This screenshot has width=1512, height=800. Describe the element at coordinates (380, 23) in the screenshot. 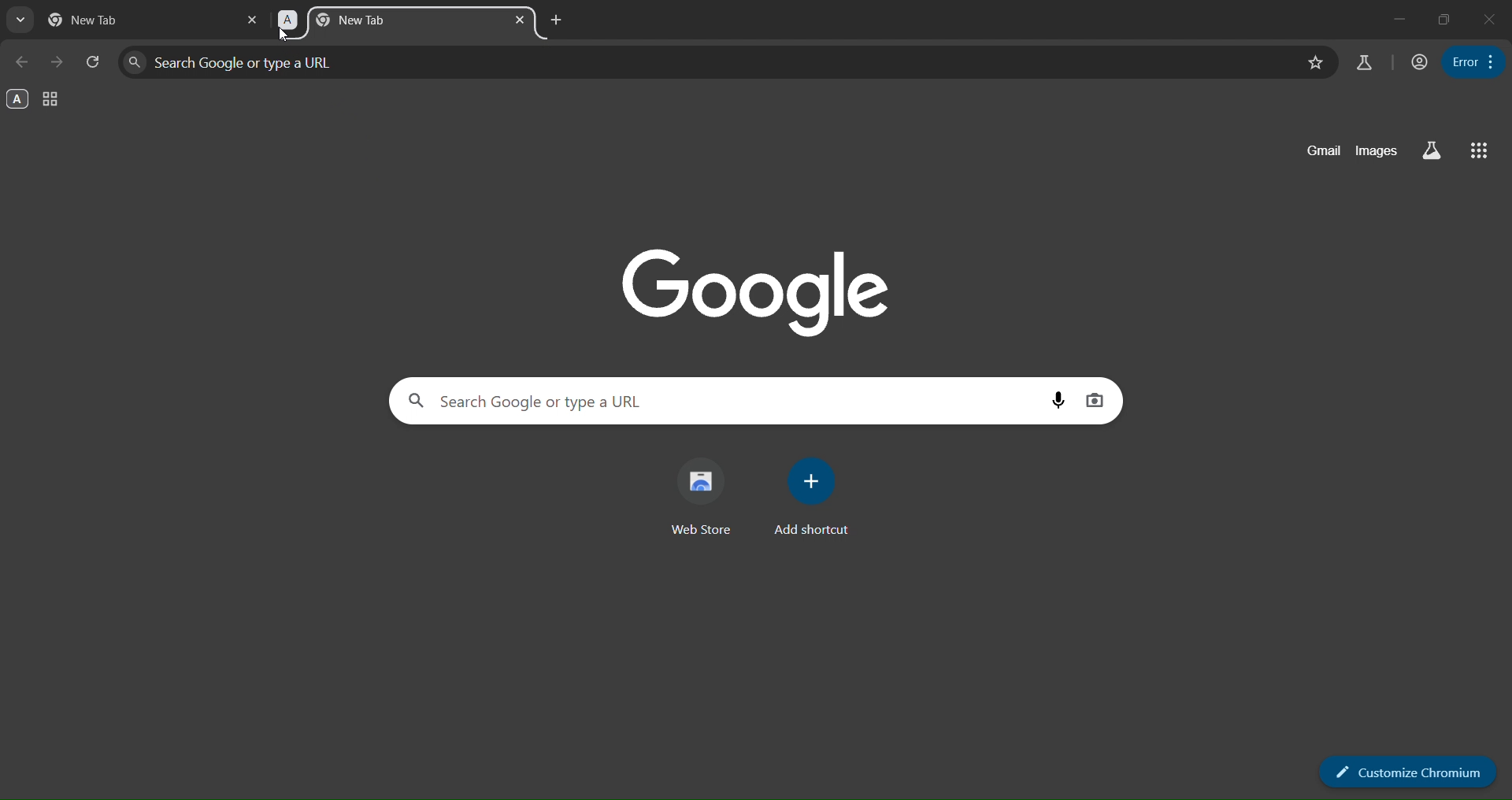

I see `A - new tab ` at that location.